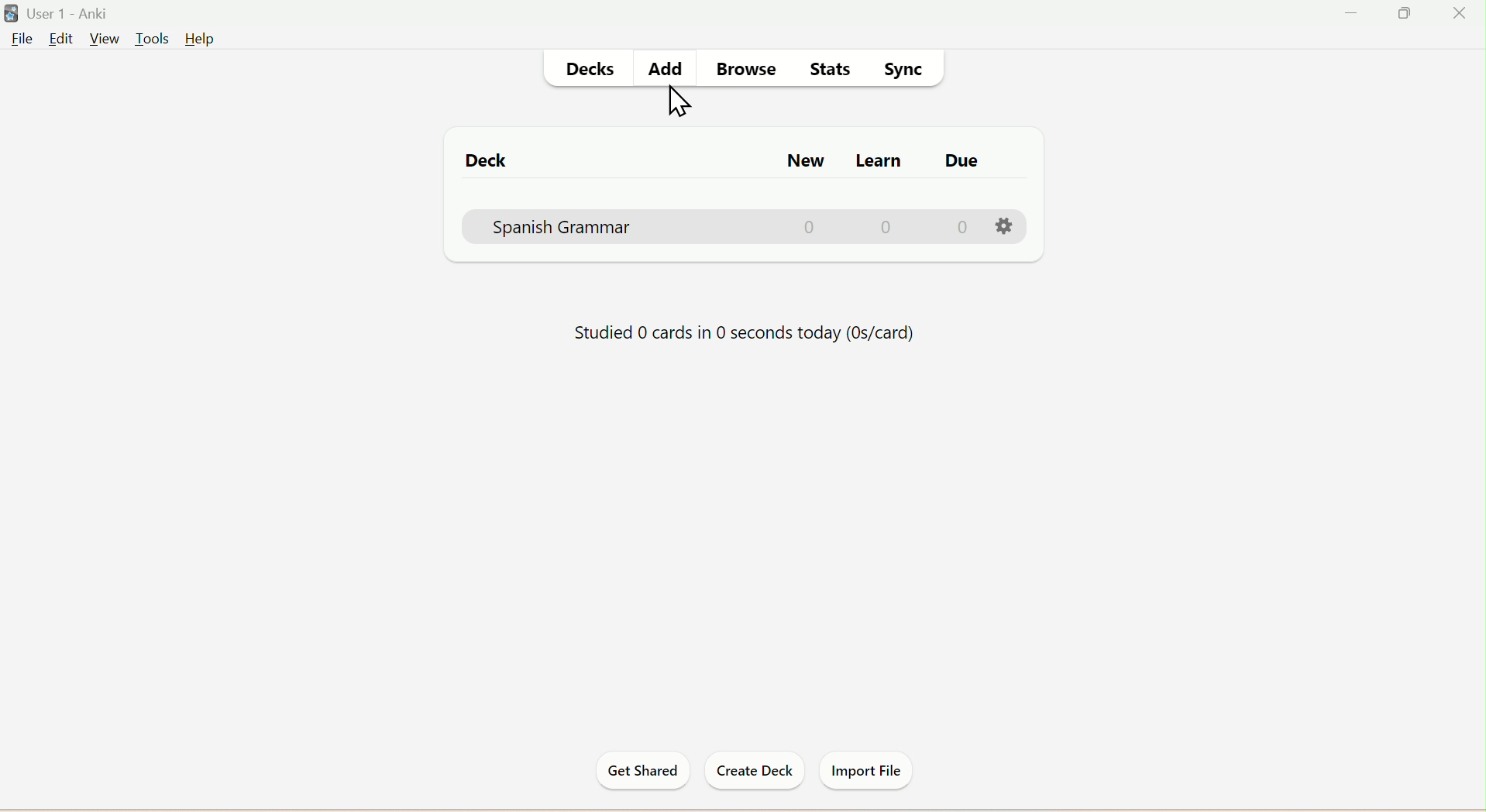 The height and width of the screenshot is (812, 1486). Describe the element at coordinates (148, 40) in the screenshot. I see `Tools` at that location.